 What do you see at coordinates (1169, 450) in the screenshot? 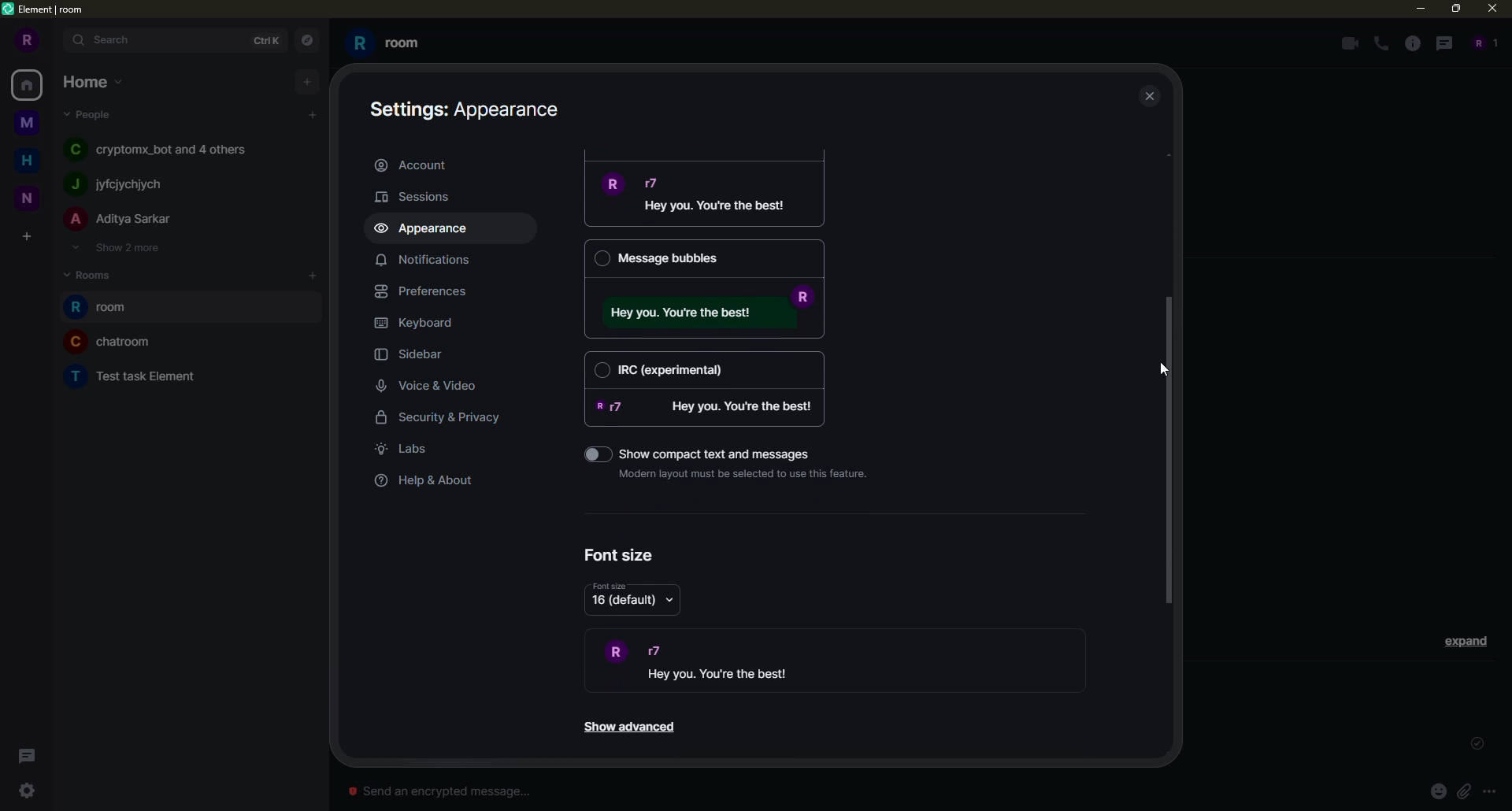
I see `drag` at bounding box center [1169, 450].